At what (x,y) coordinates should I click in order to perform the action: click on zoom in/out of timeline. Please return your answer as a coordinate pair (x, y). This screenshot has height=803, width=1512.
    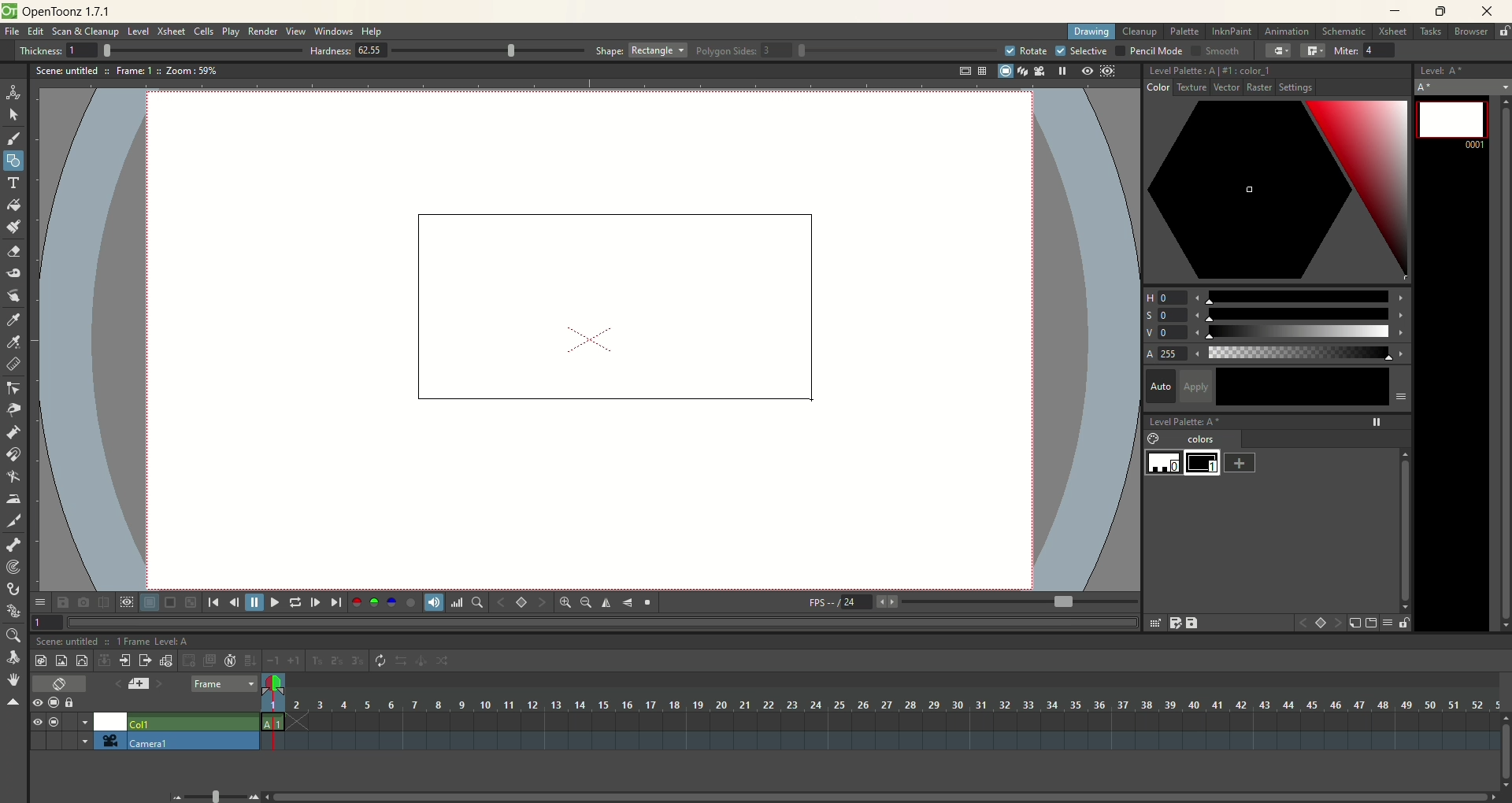
    Looking at the image, I should click on (215, 795).